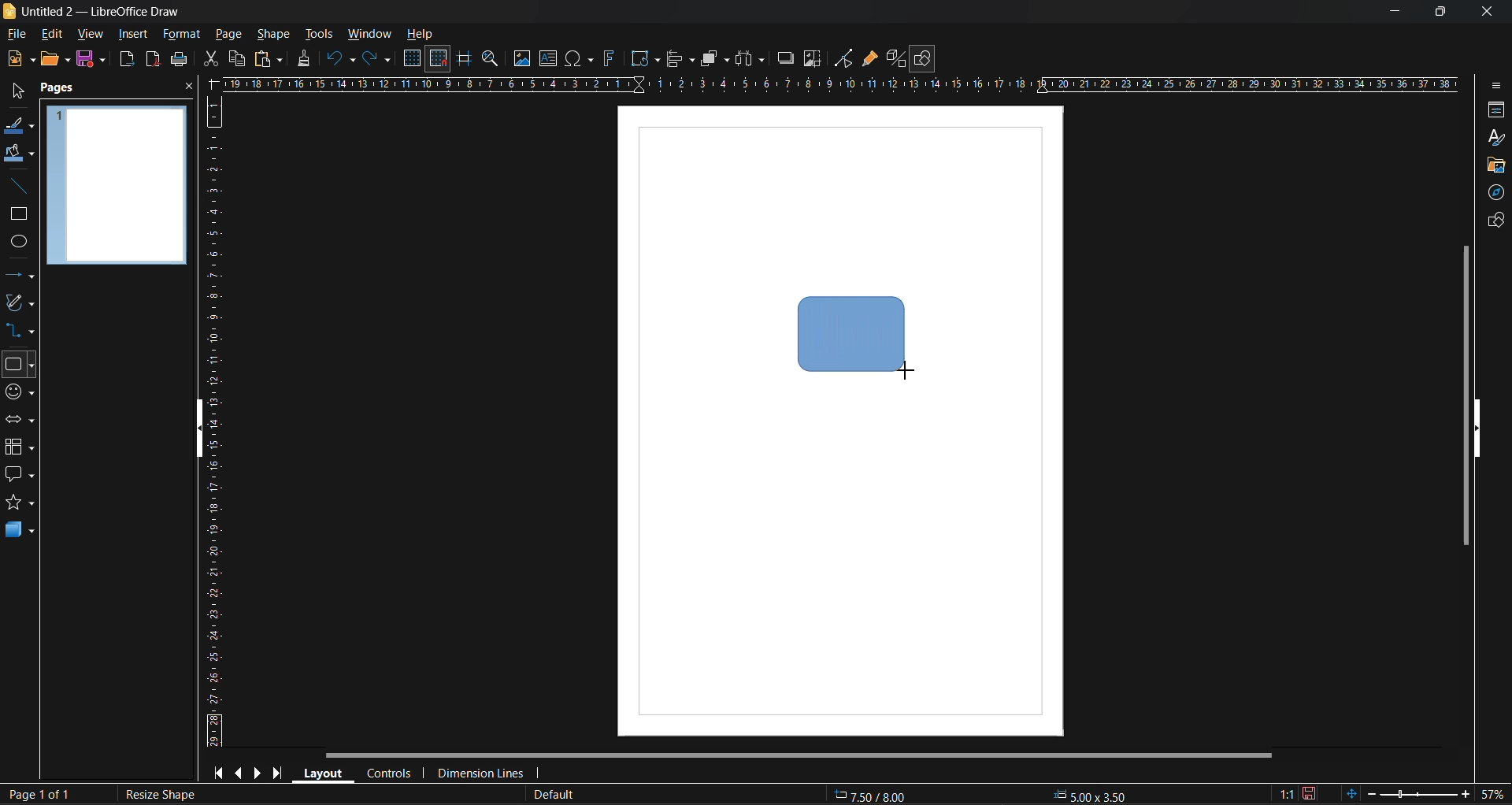  What do you see at coordinates (130, 34) in the screenshot?
I see `insert` at bounding box center [130, 34].